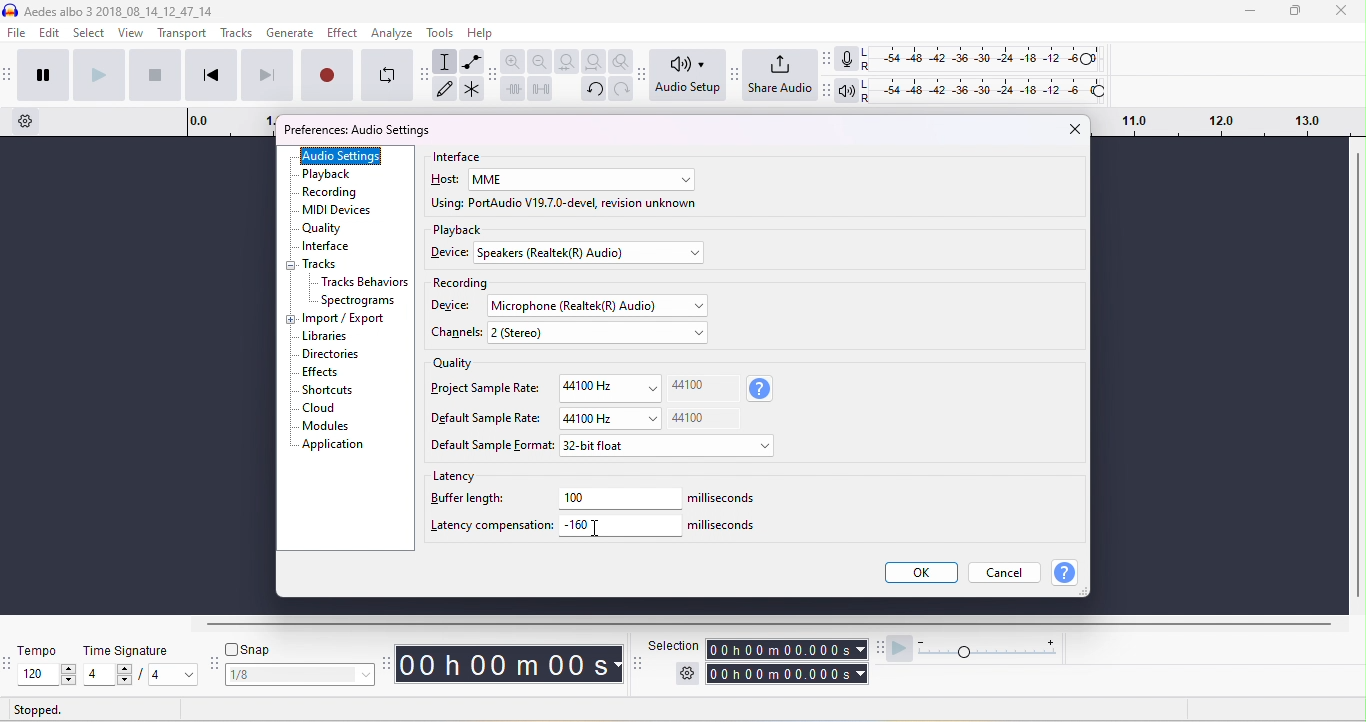  Describe the element at coordinates (98, 73) in the screenshot. I see `play` at that location.